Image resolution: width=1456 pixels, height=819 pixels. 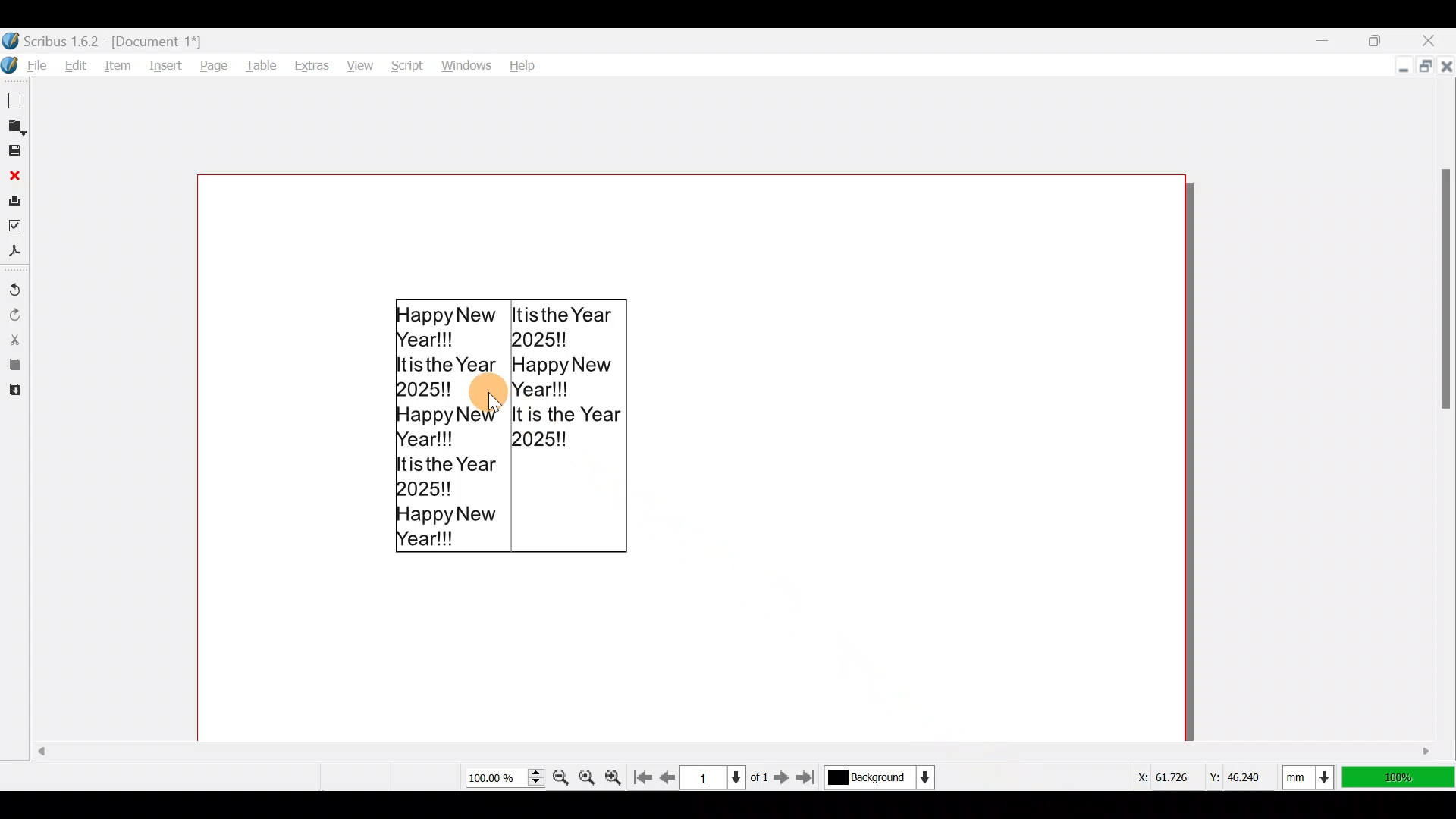 What do you see at coordinates (560, 773) in the screenshot?
I see `Zoom out by the stepping value in tools preferences` at bounding box center [560, 773].